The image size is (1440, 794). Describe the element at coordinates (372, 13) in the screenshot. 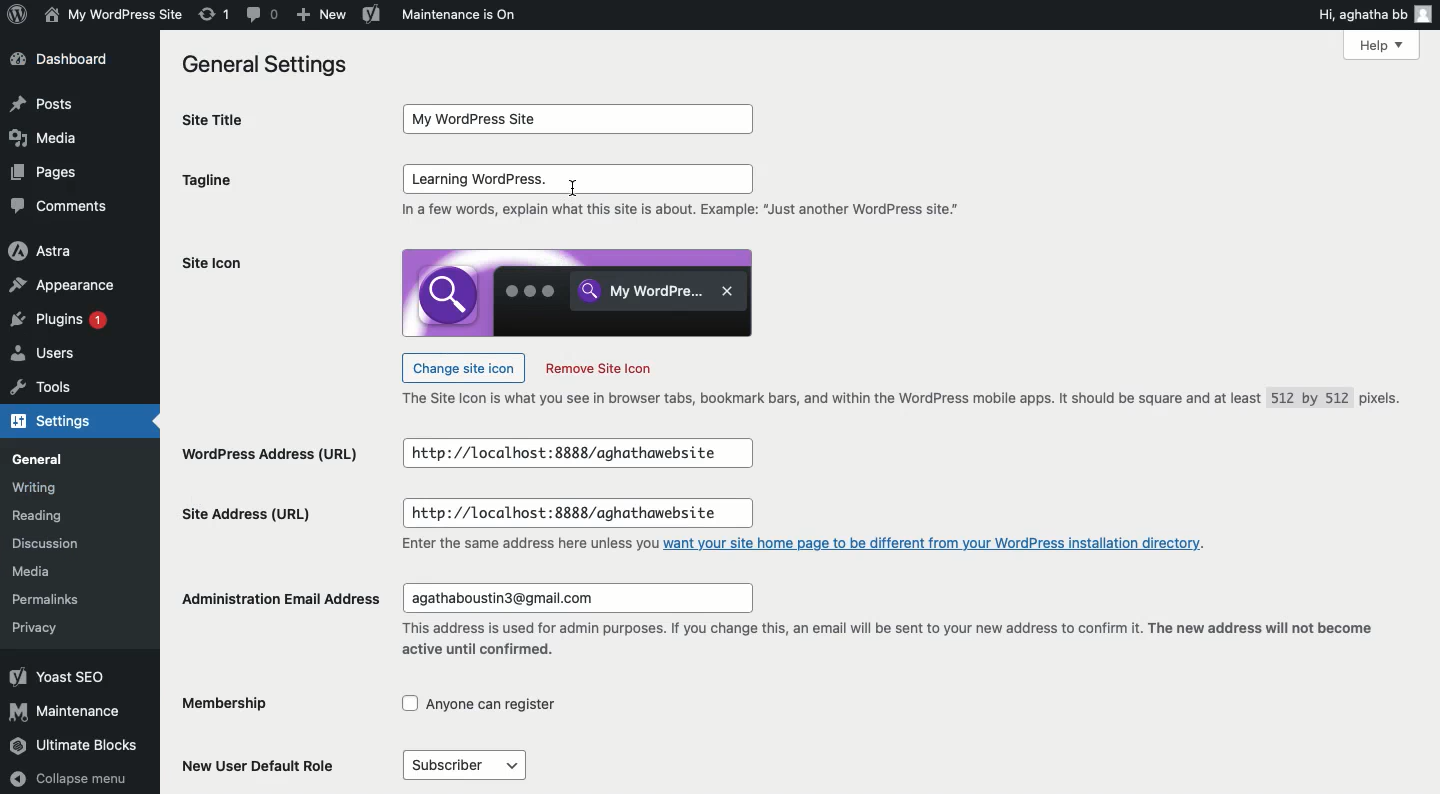

I see `Yoast` at that location.